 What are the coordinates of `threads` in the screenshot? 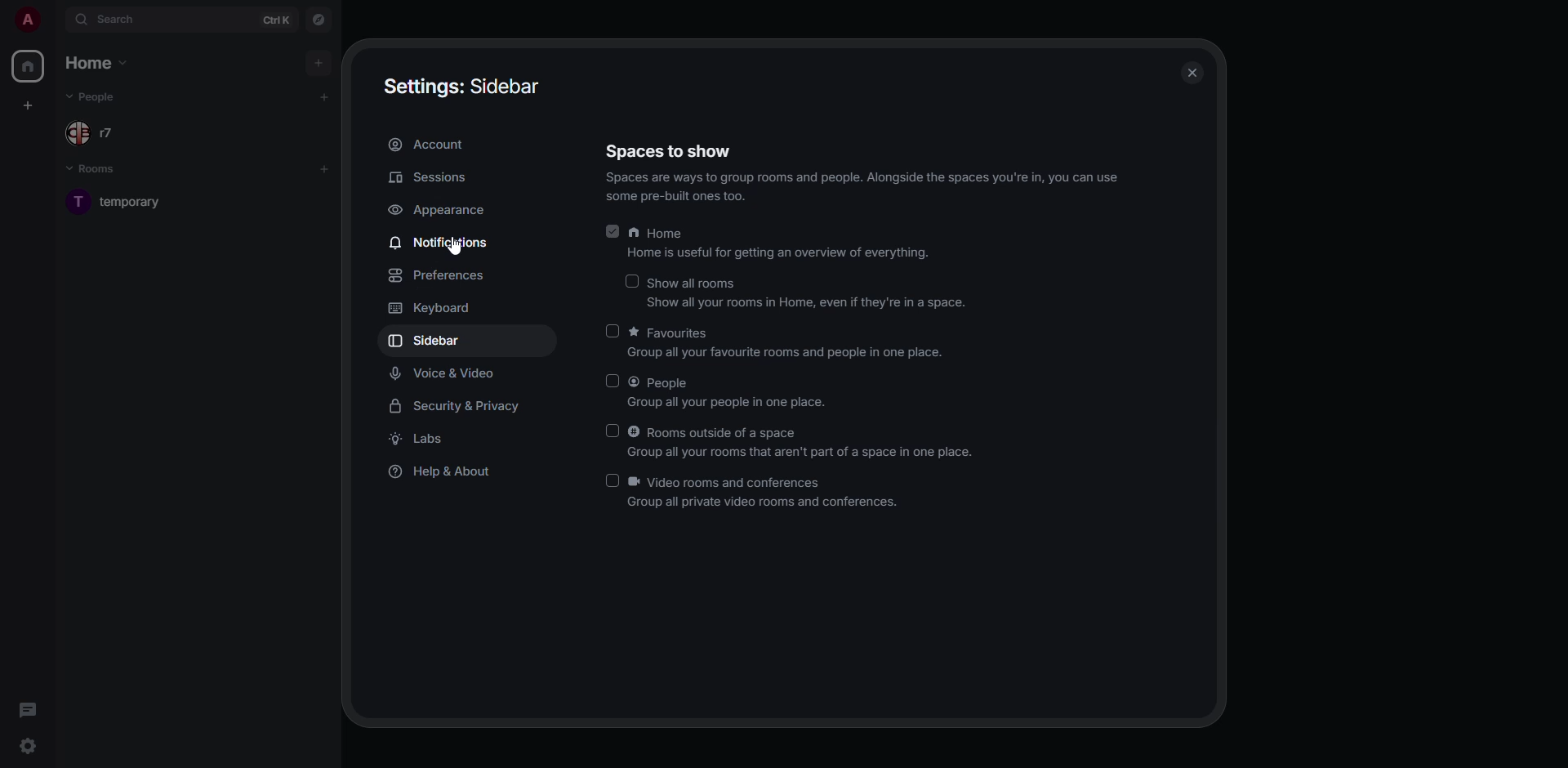 It's located at (27, 709).